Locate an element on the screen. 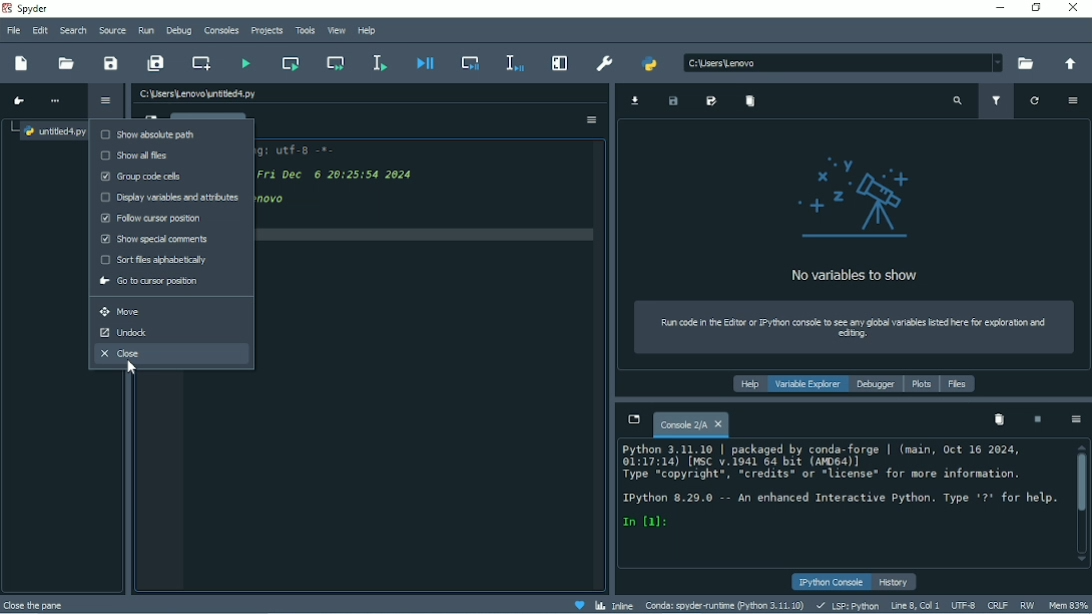 The image size is (1092, 614). Run code in the editor or IPython console to see any global variables listed here for exploration and editing is located at coordinates (852, 330).